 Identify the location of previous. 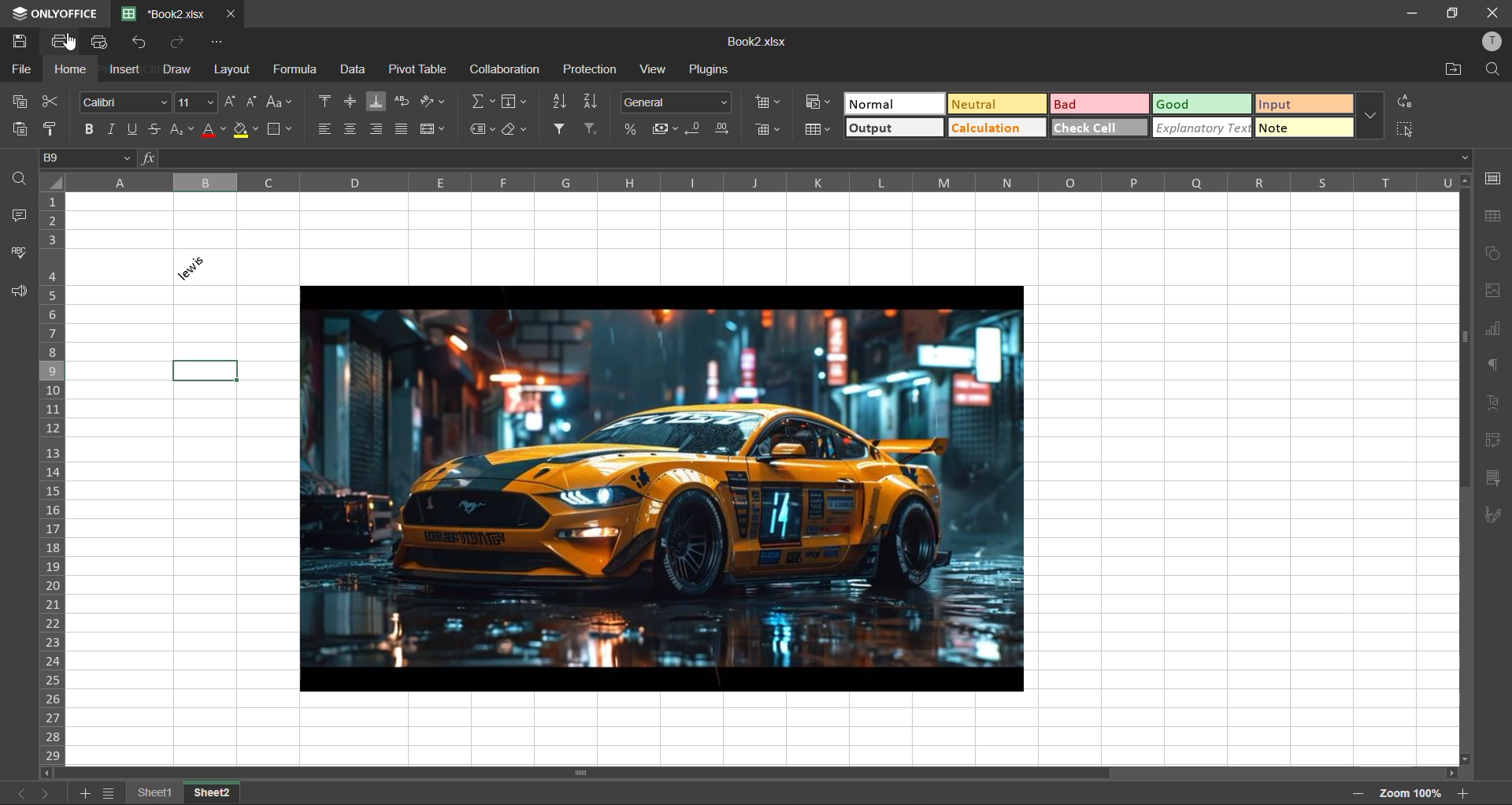
(14, 792).